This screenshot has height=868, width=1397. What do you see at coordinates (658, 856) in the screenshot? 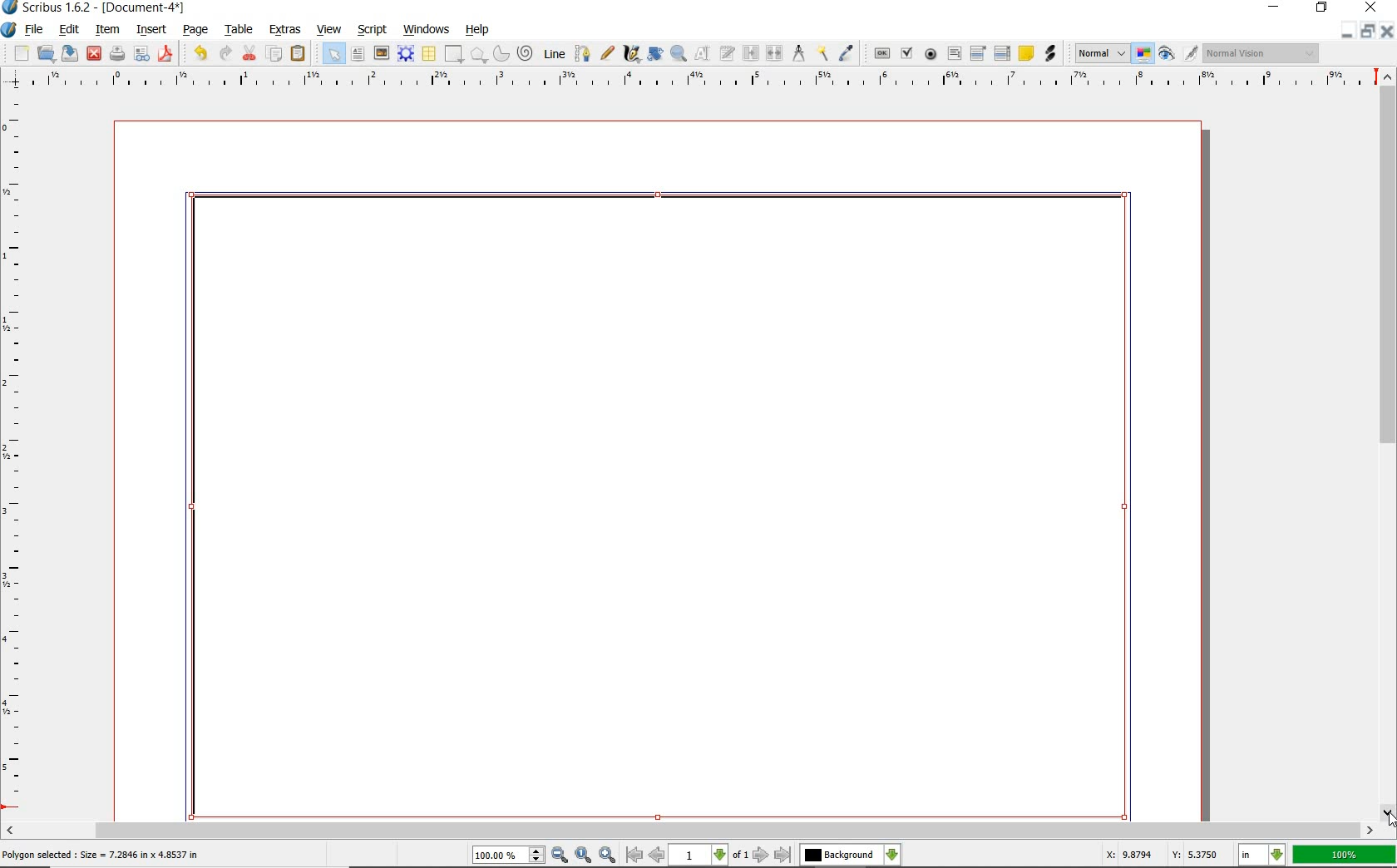
I see `go to previous page` at bounding box center [658, 856].